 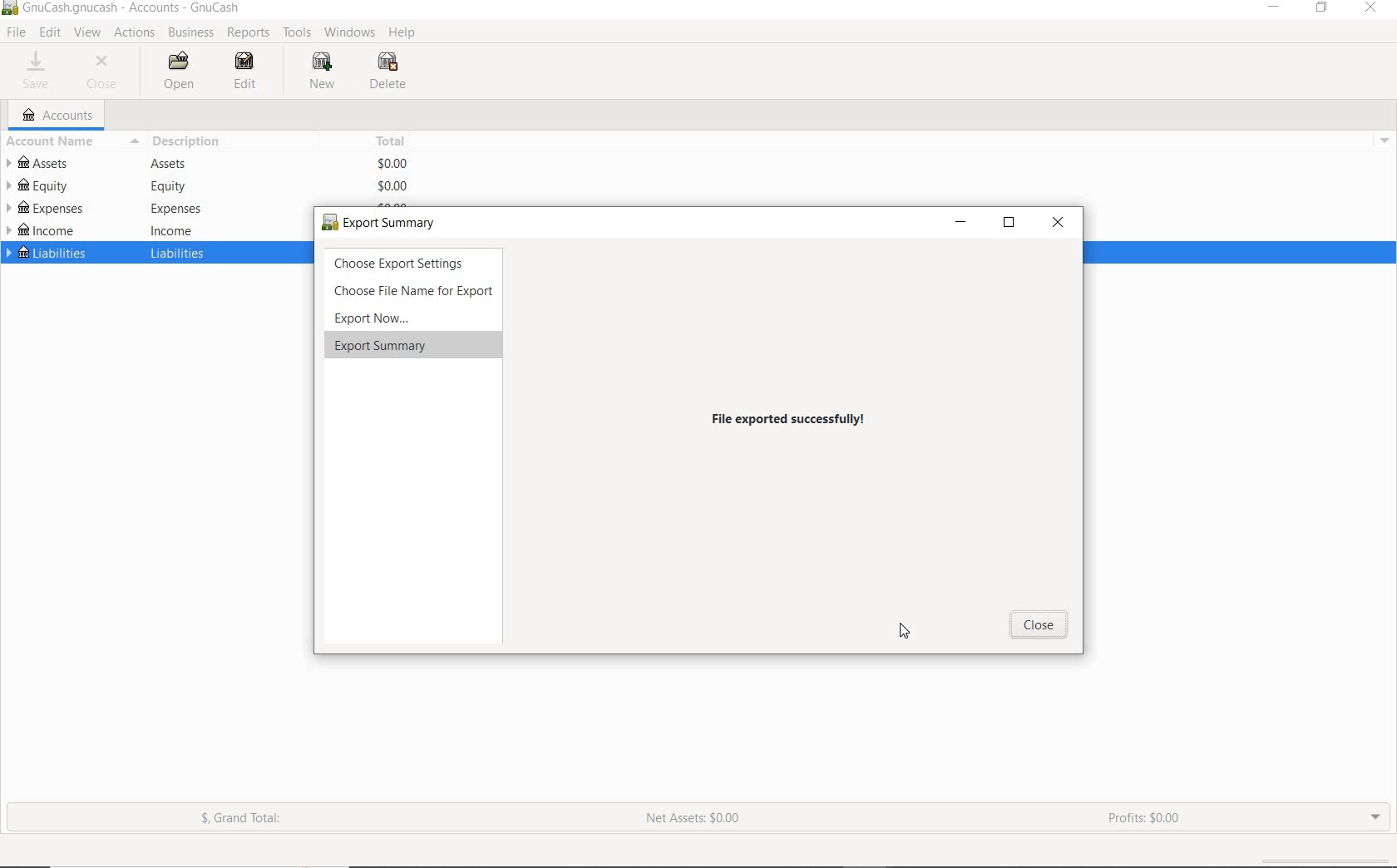 I want to click on choose export settings, so click(x=412, y=264).